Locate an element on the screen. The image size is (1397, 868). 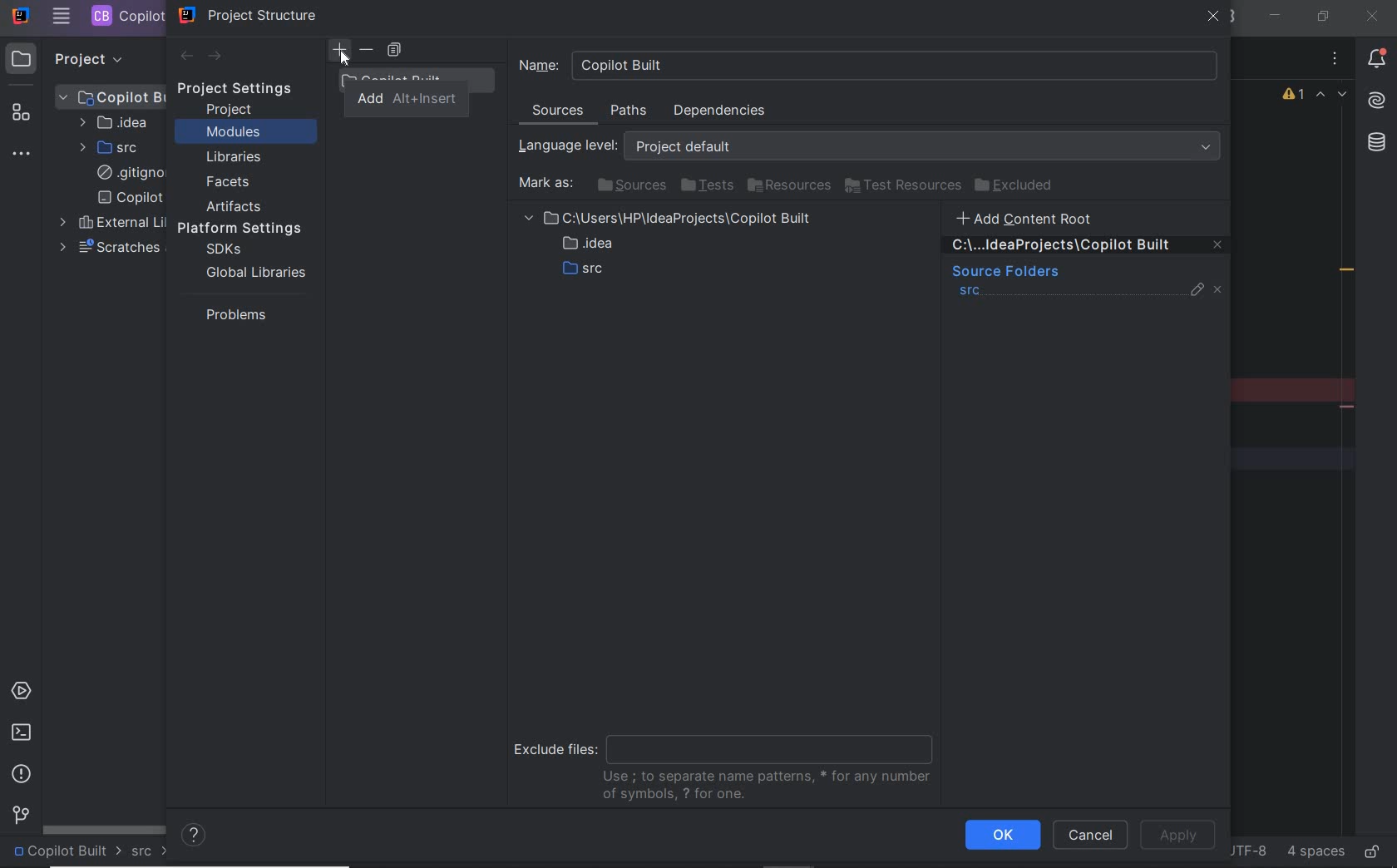
delete is located at coordinates (368, 50).